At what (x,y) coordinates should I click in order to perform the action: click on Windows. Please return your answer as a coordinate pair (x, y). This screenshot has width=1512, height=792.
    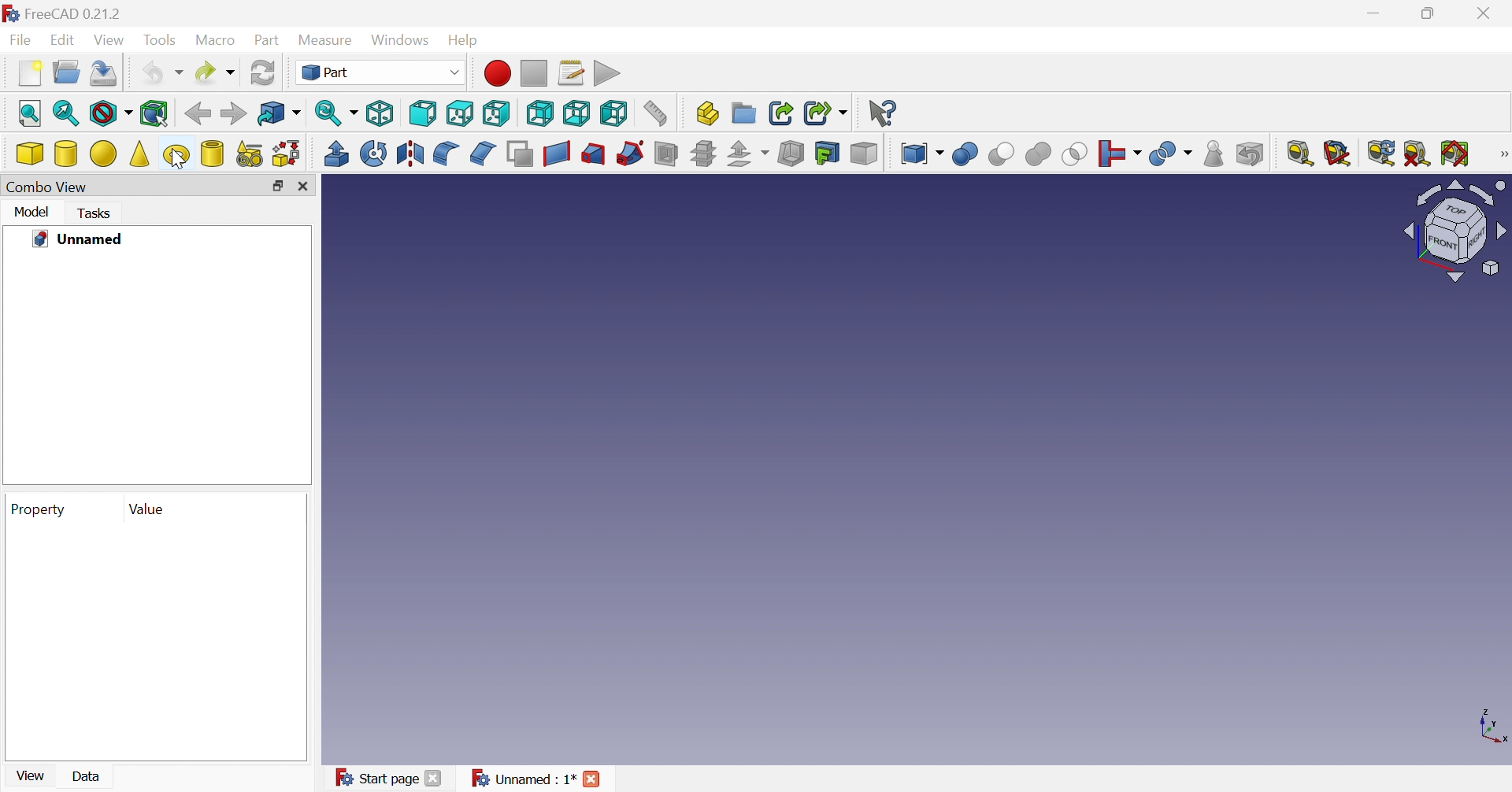
    Looking at the image, I should click on (399, 40).